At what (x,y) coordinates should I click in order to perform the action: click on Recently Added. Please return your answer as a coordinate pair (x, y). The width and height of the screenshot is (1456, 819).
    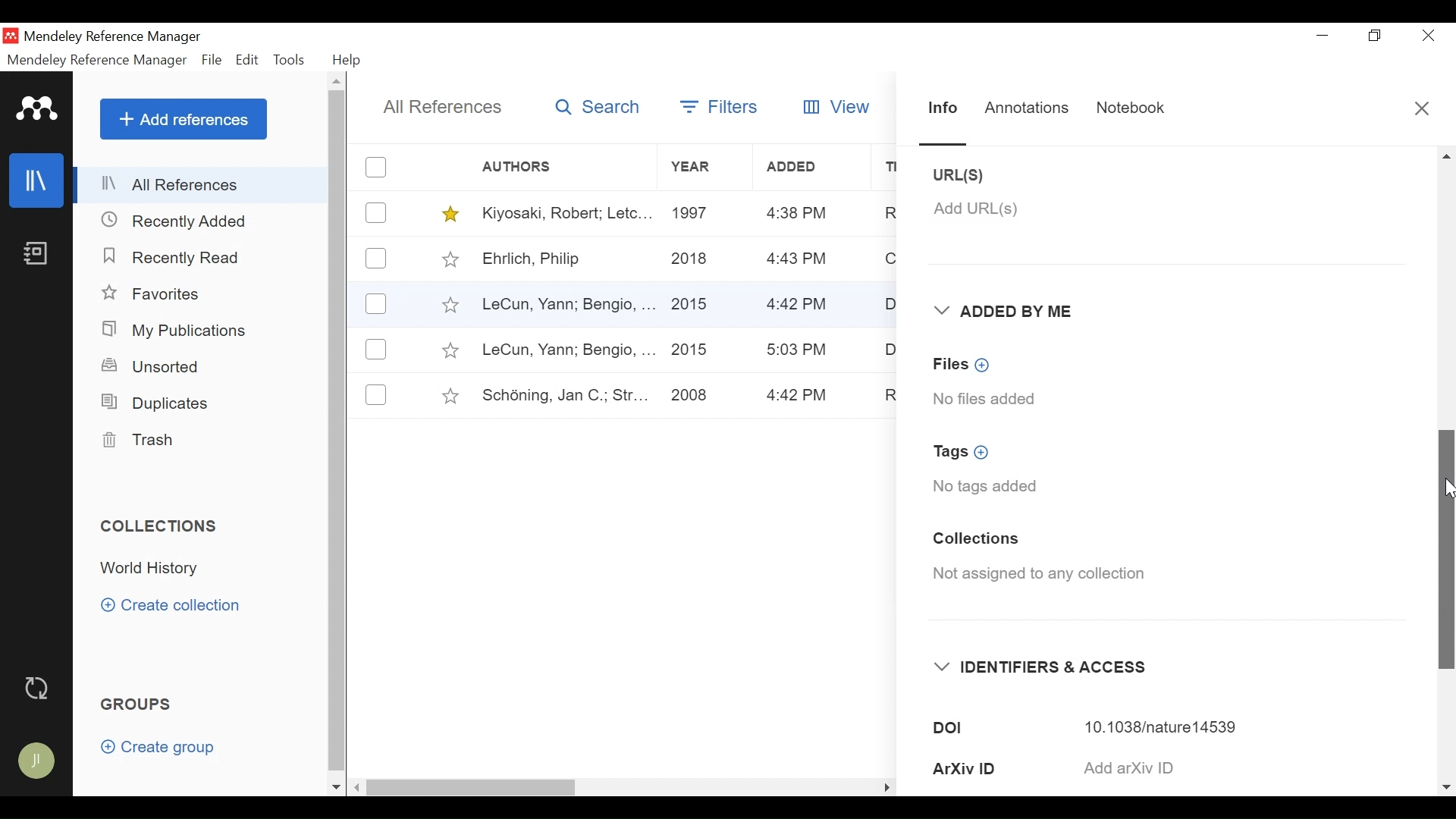
    Looking at the image, I should click on (181, 220).